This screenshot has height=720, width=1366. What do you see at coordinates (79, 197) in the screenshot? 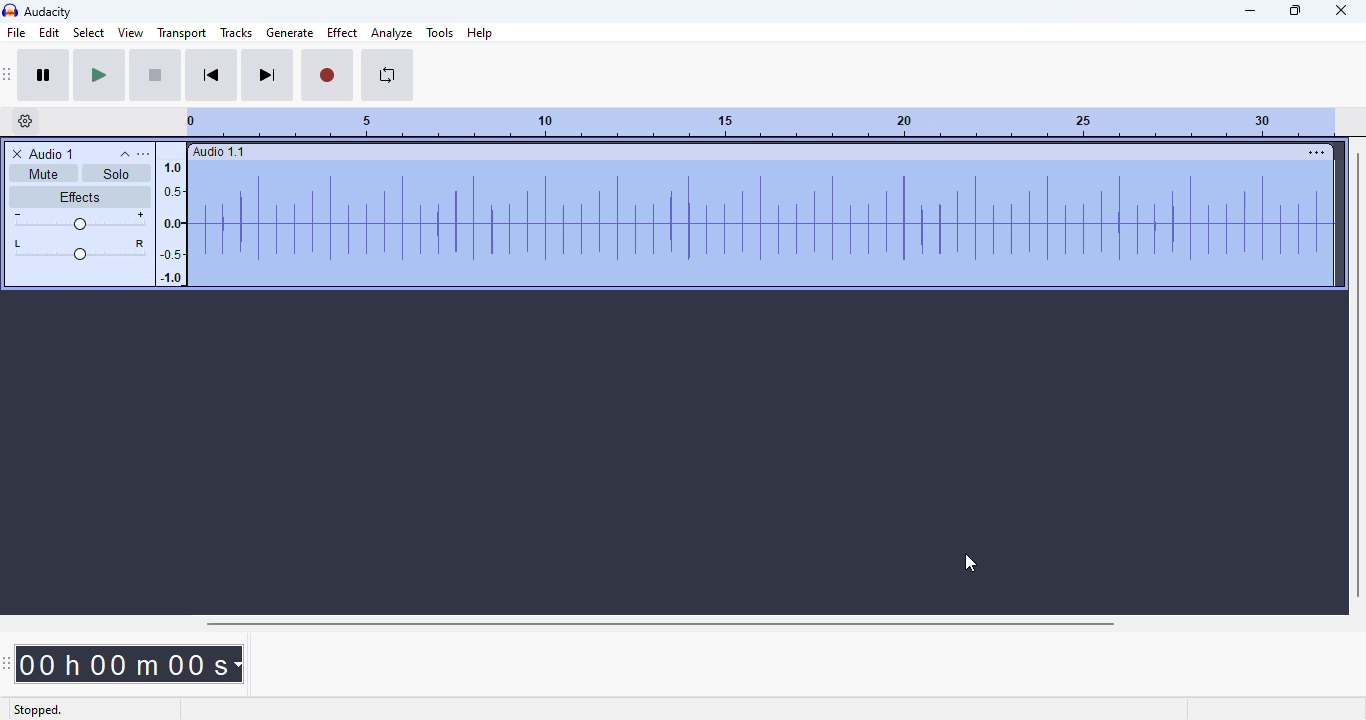
I see `effects` at bounding box center [79, 197].